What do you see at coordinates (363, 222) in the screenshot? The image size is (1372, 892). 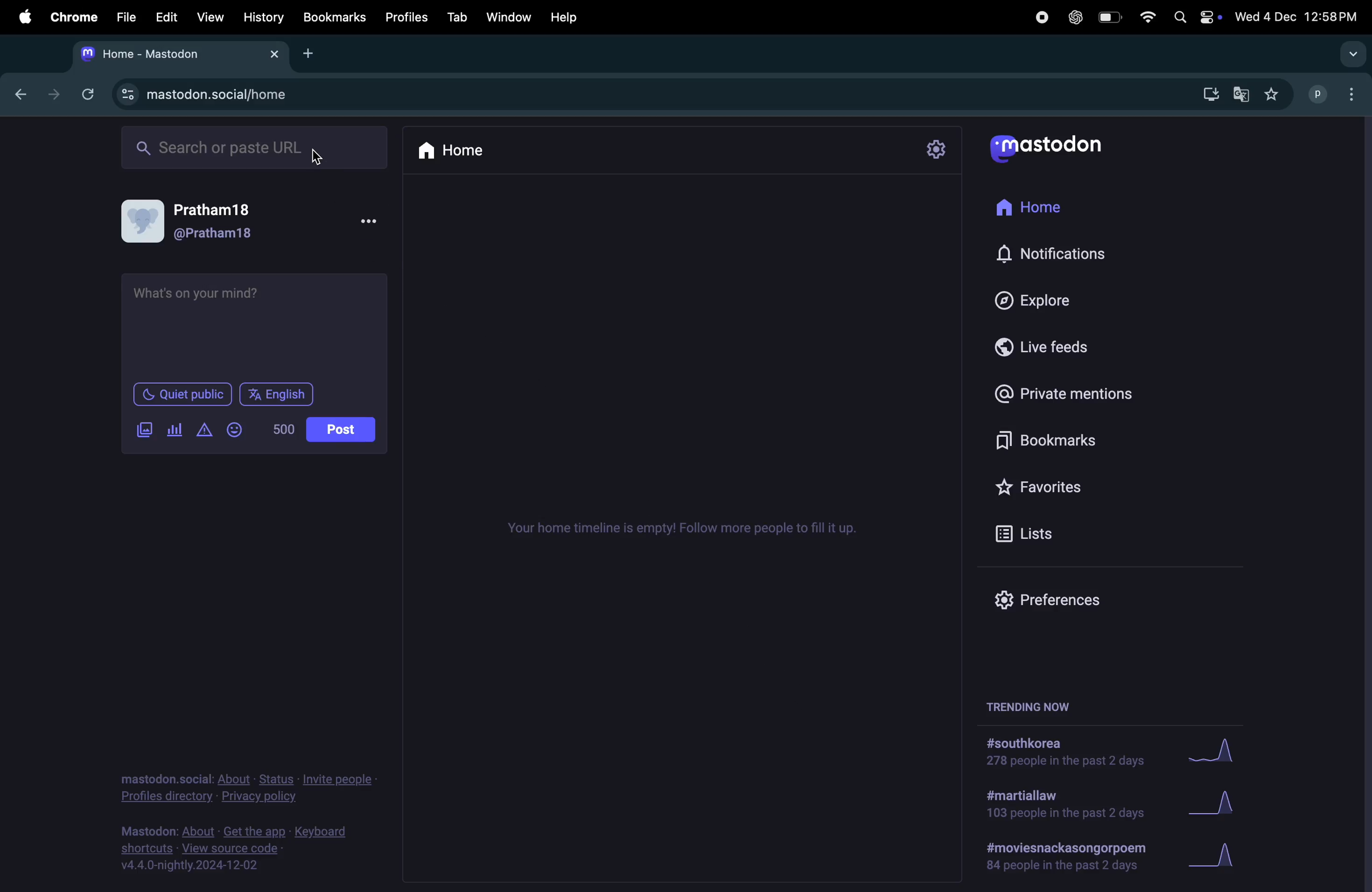 I see `options` at bounding box center [363, 222].